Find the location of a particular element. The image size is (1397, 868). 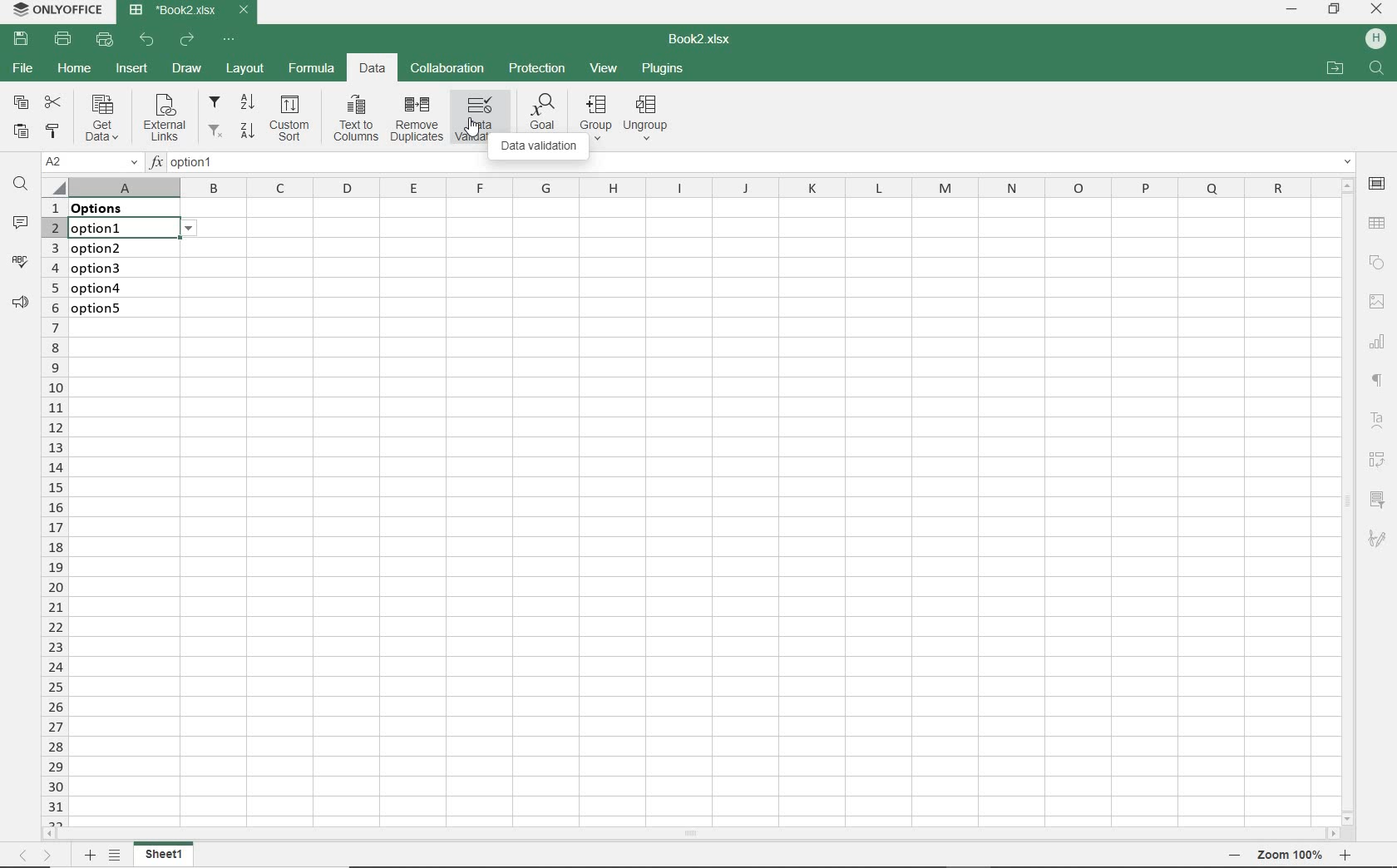

CLOSE is located at coordinates (1378, 8).